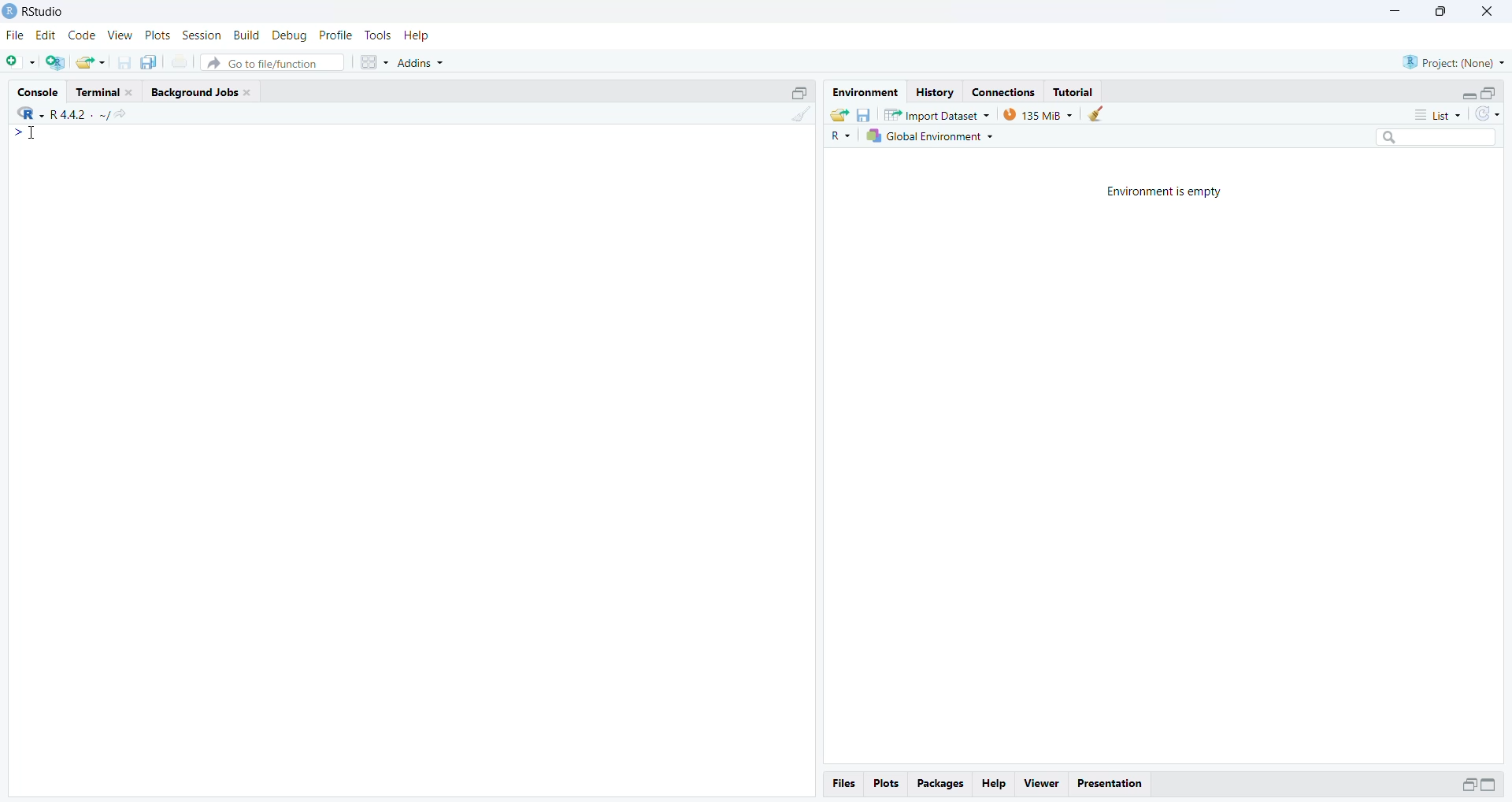 The height and width of the screenshot is (802, 1512). What do you see at coordinates (121, 113) in the screenshot?
I see `View the current working directory` at bounding box center [121, 113].